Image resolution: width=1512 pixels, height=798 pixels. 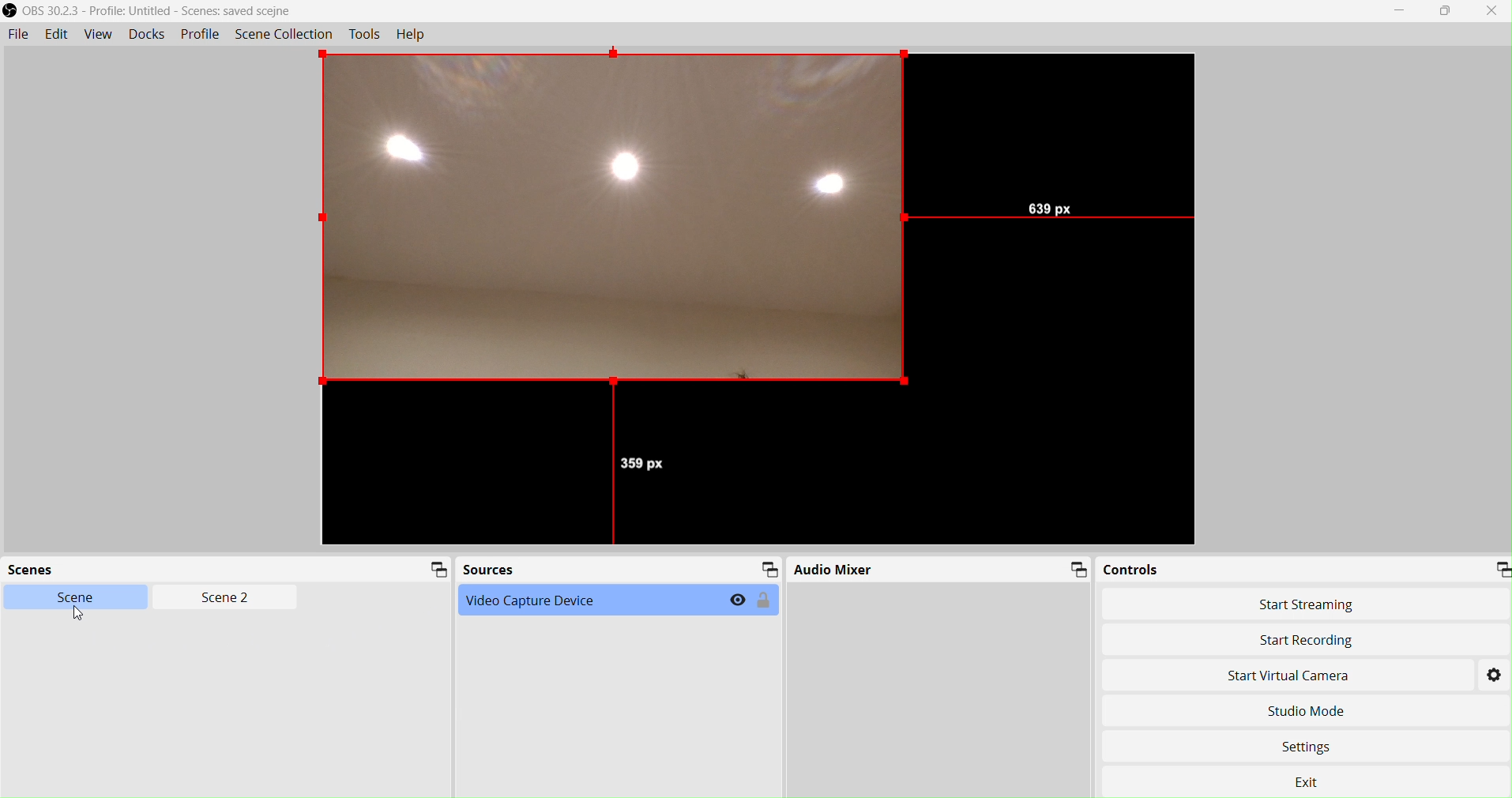 What do you see at coordinates (18, 35) in the screenshot?
I see `File` at bounding box center [18, 35].